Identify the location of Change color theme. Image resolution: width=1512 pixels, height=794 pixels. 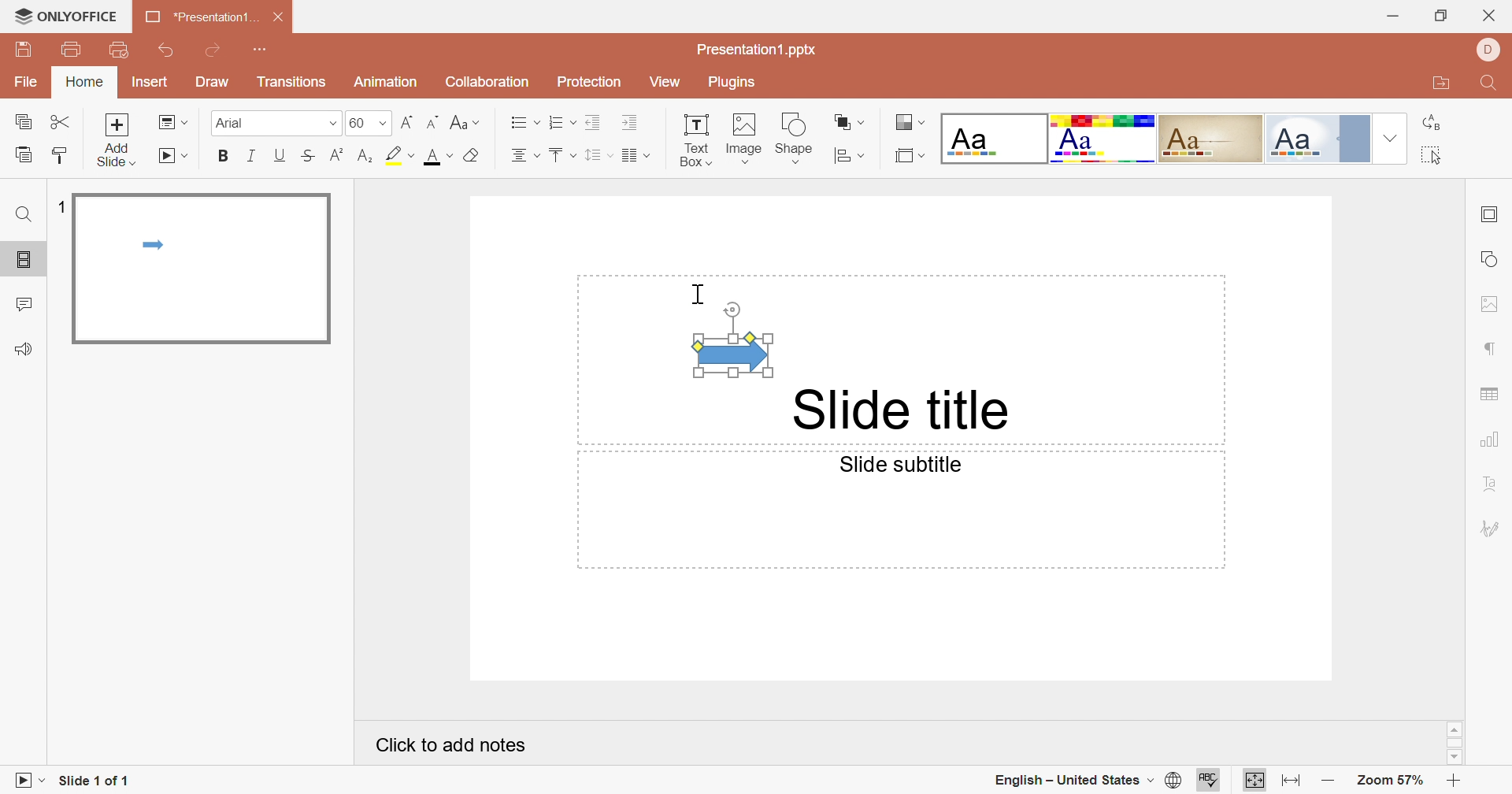
(910, 123).